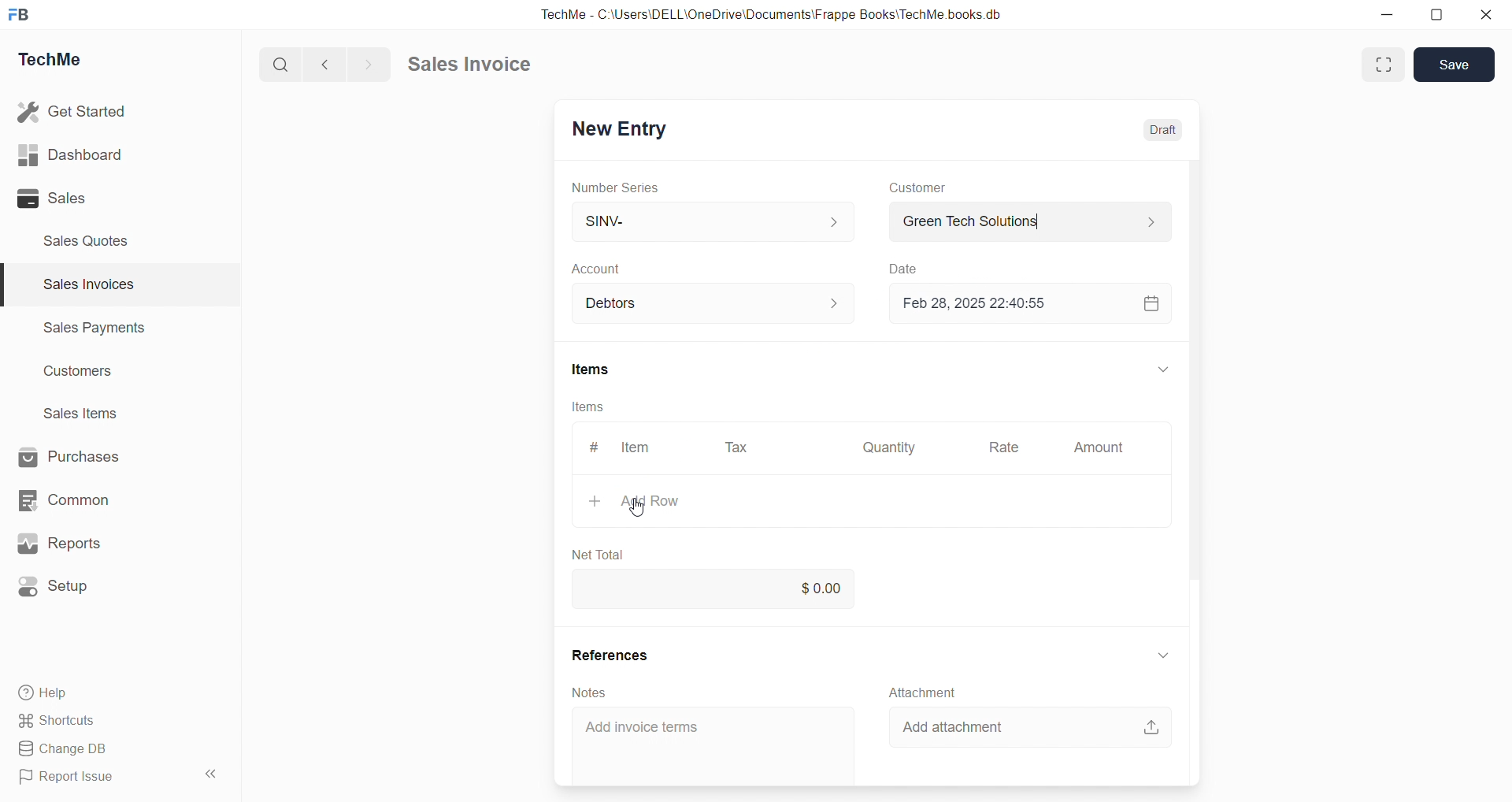  What do you see at coordinates (209, 774) in the screenshot?
I see `<<` at bounding box center [209, 774].